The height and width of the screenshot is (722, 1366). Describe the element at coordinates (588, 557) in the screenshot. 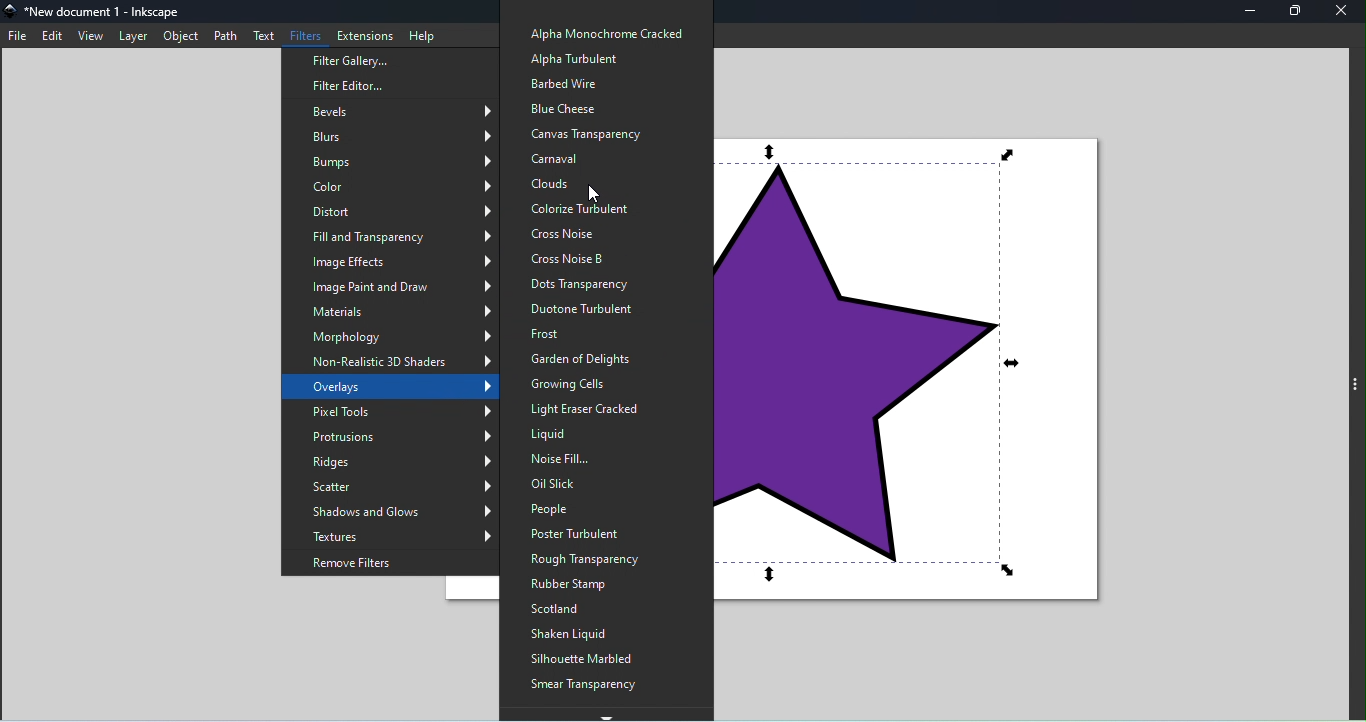

I see `Rough transparency` at that location.